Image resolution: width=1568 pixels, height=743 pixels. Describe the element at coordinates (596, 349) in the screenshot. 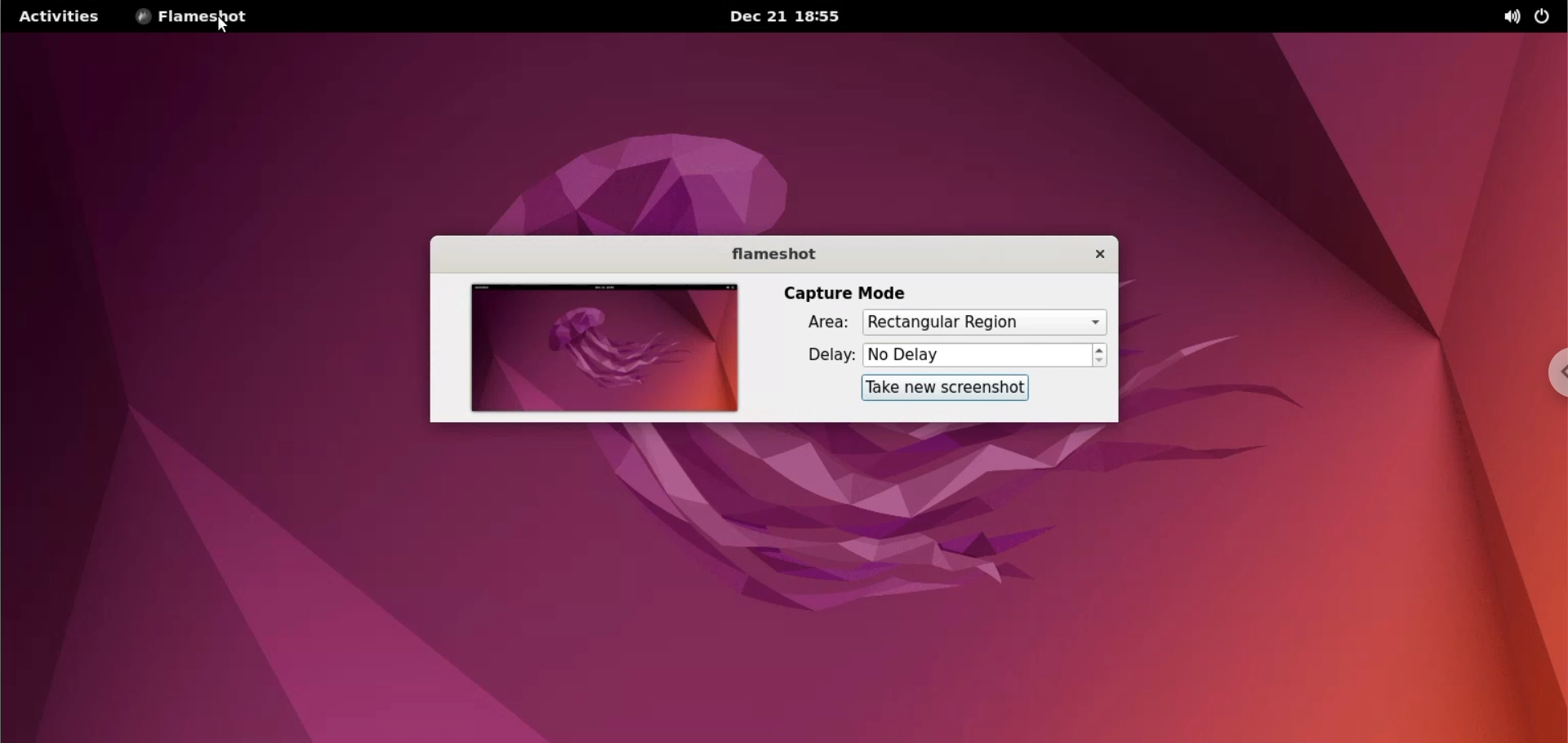

I see `screenshot preview` at that location.